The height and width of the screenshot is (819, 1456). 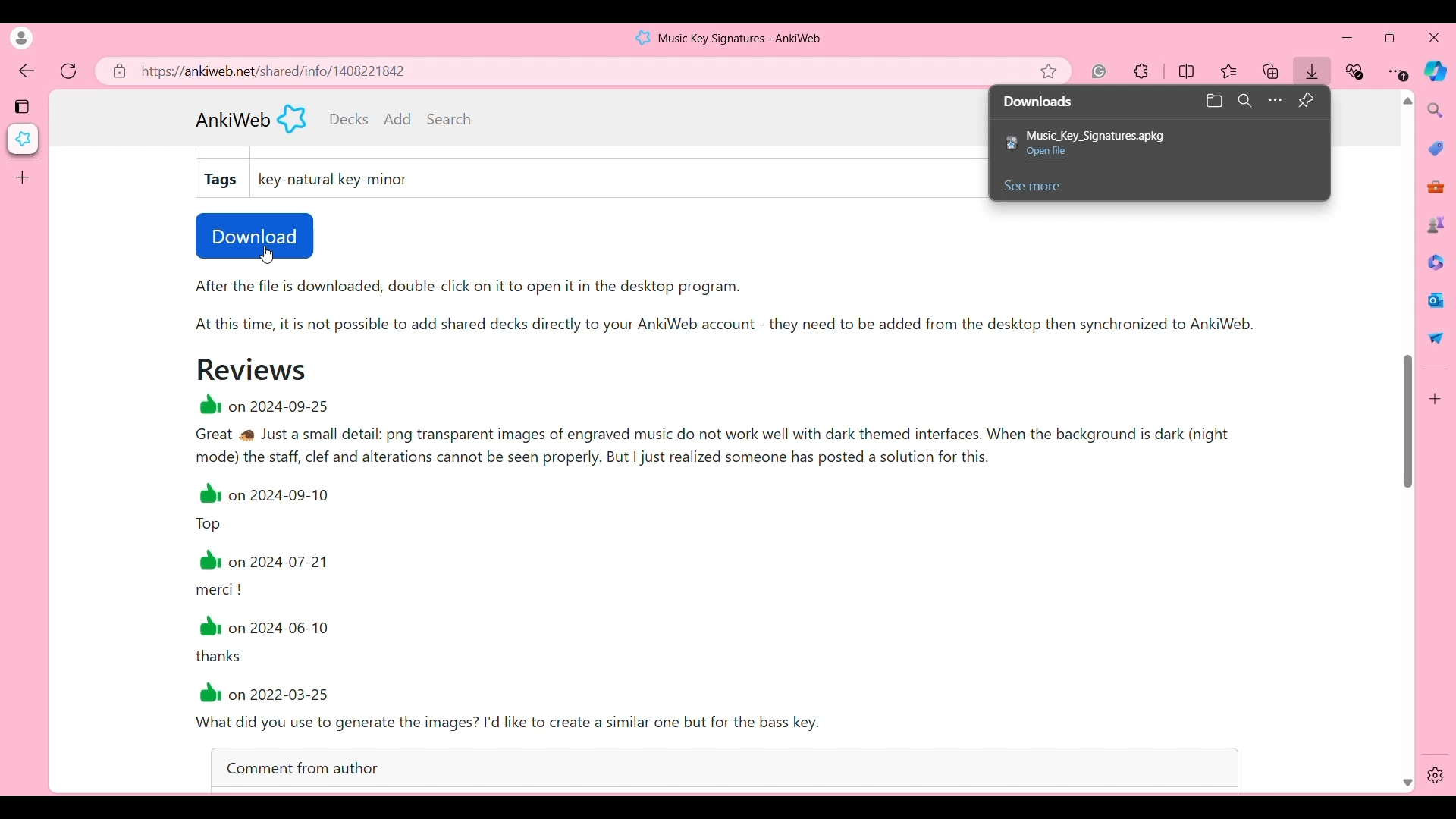 I want to click on Refresh page, so click(x=69, y=71).